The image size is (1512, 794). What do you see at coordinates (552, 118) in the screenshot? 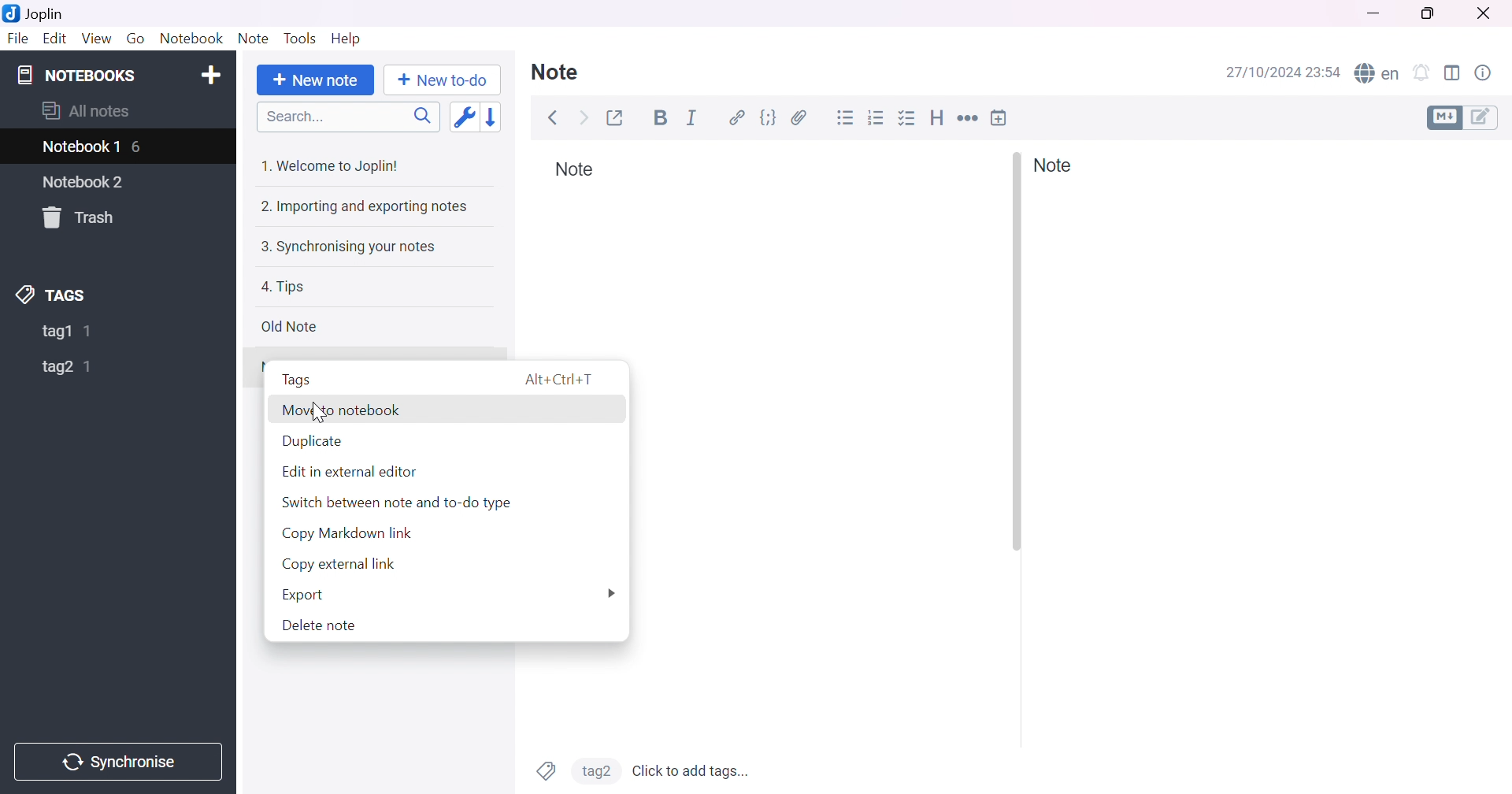
I see `Back` at bounding box center [552, 118].